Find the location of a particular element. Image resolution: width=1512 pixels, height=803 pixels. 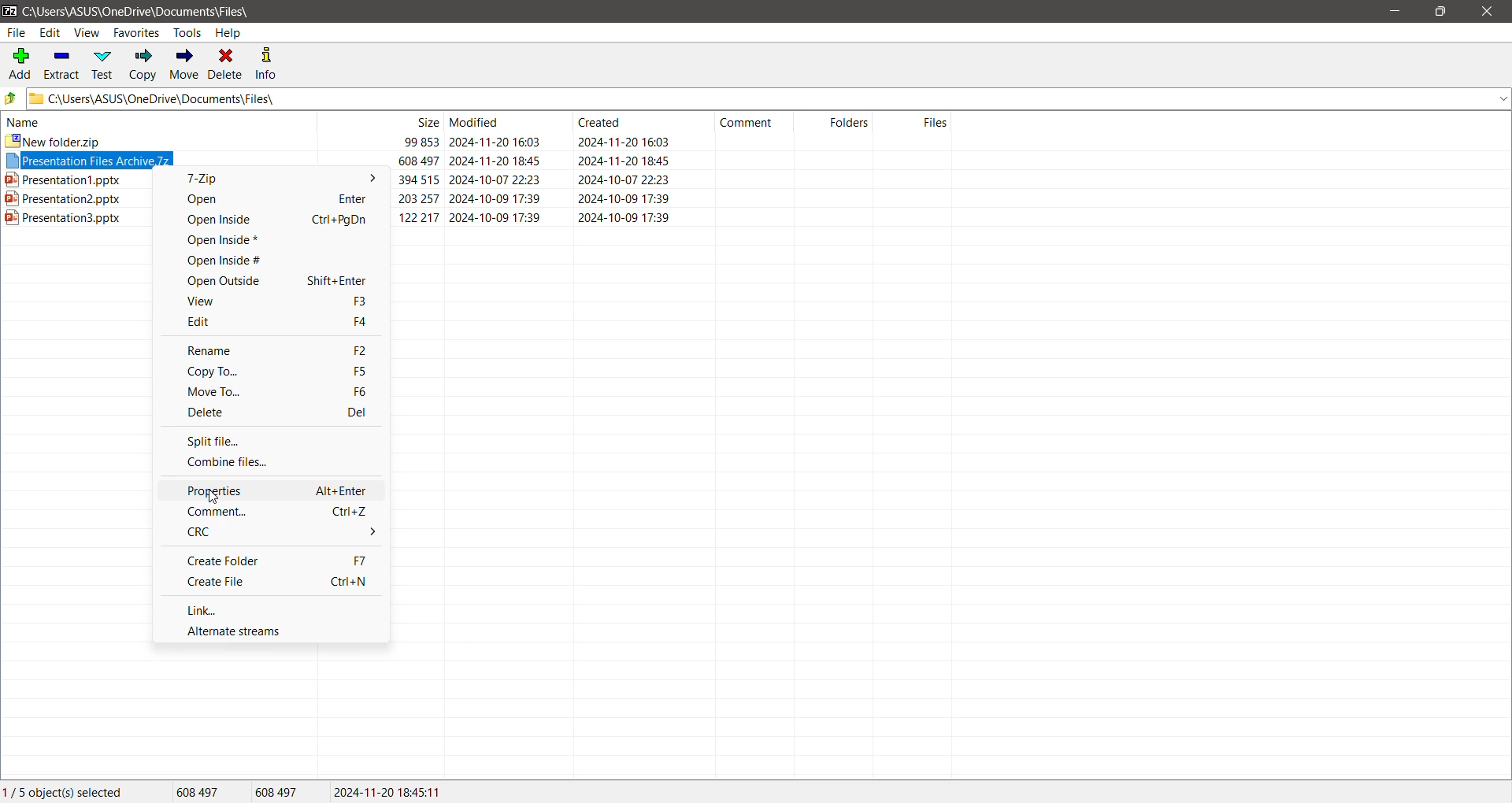

f7 is located at coordinates (352, 560).